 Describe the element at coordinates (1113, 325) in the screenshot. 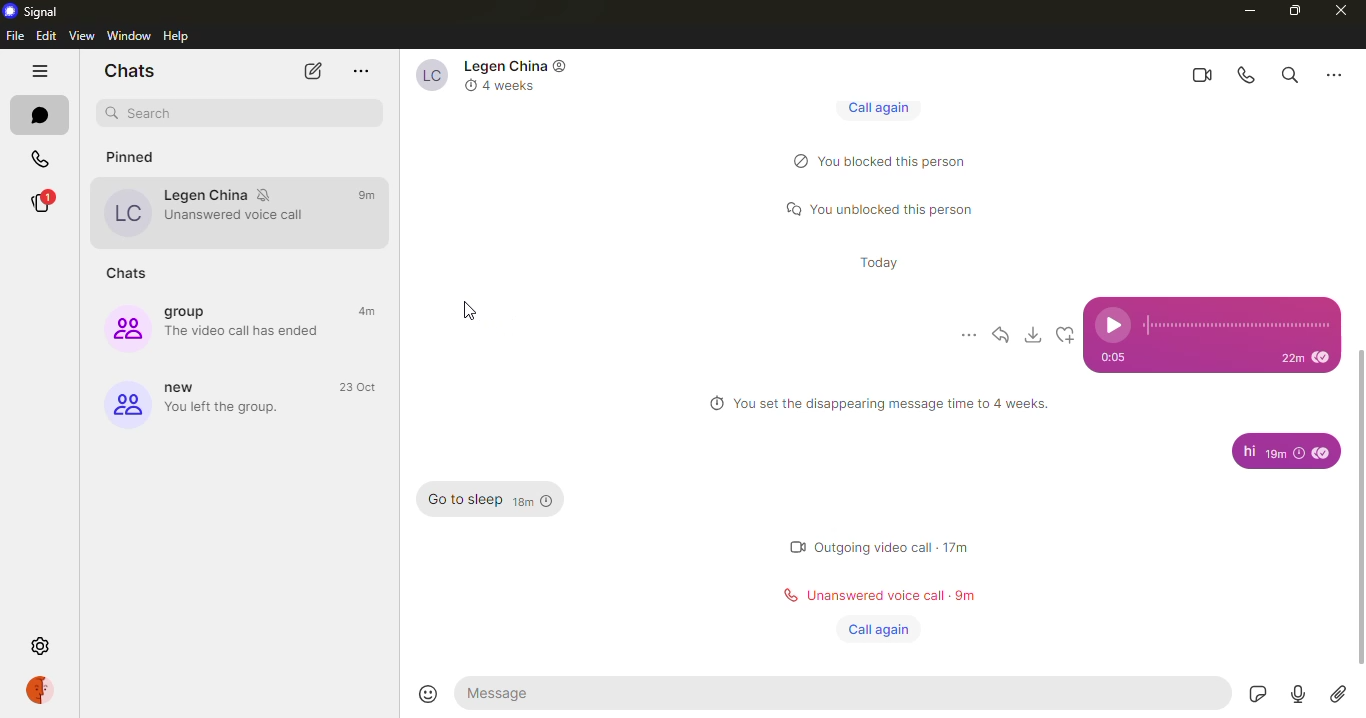

I see `play` at that location.